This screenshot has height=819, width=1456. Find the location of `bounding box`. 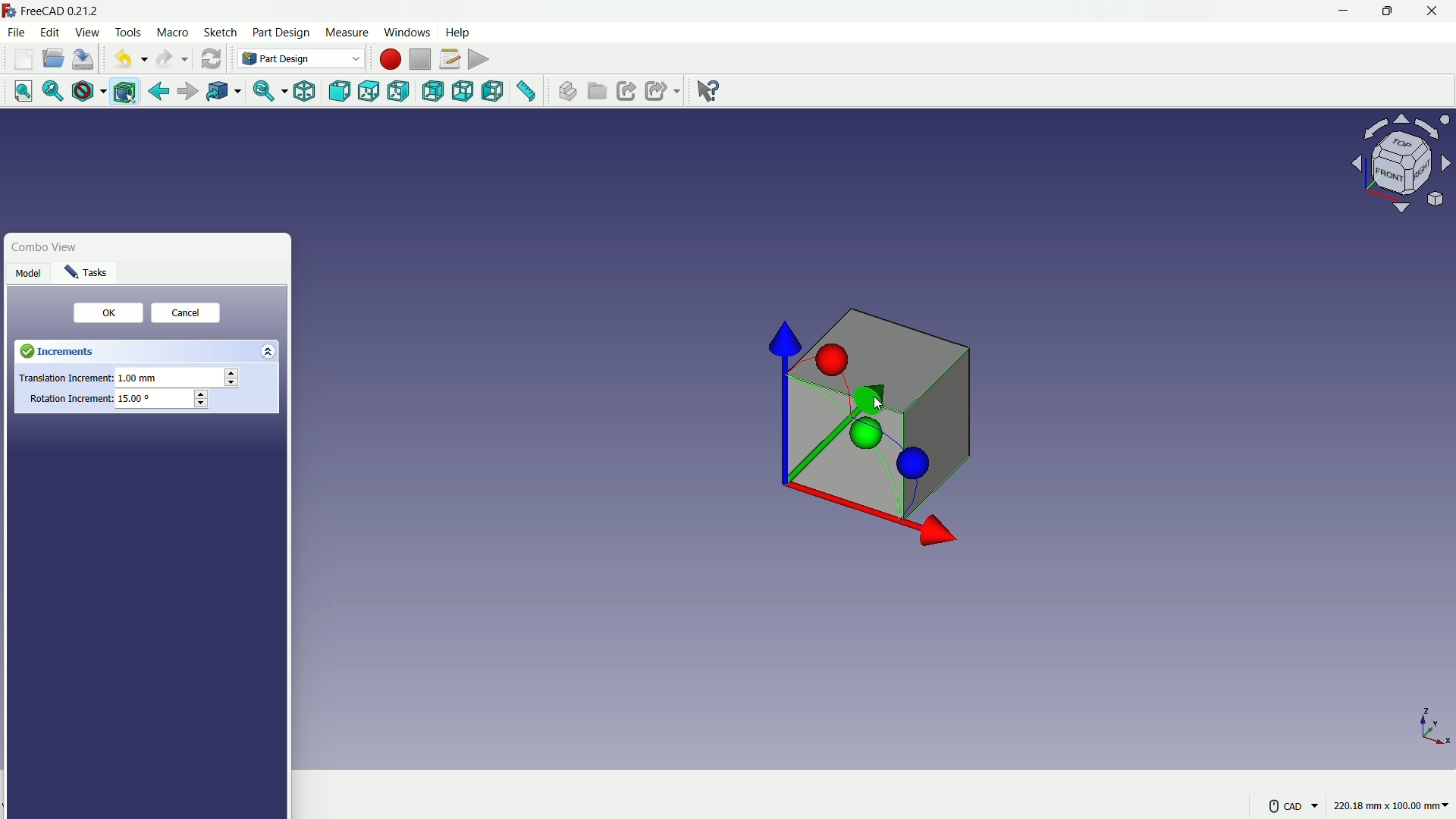

bounding box is located at coordinates (127, 93).